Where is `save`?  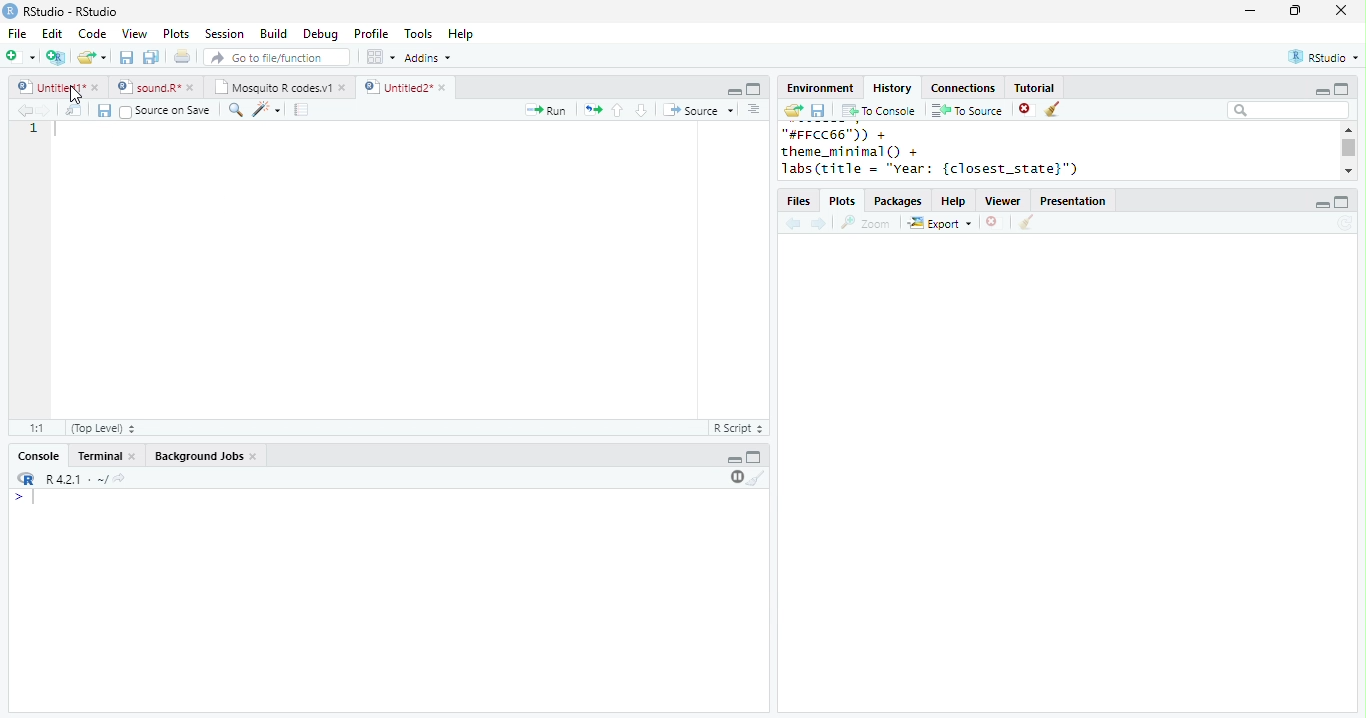
save is located at coordinates (104, 111).